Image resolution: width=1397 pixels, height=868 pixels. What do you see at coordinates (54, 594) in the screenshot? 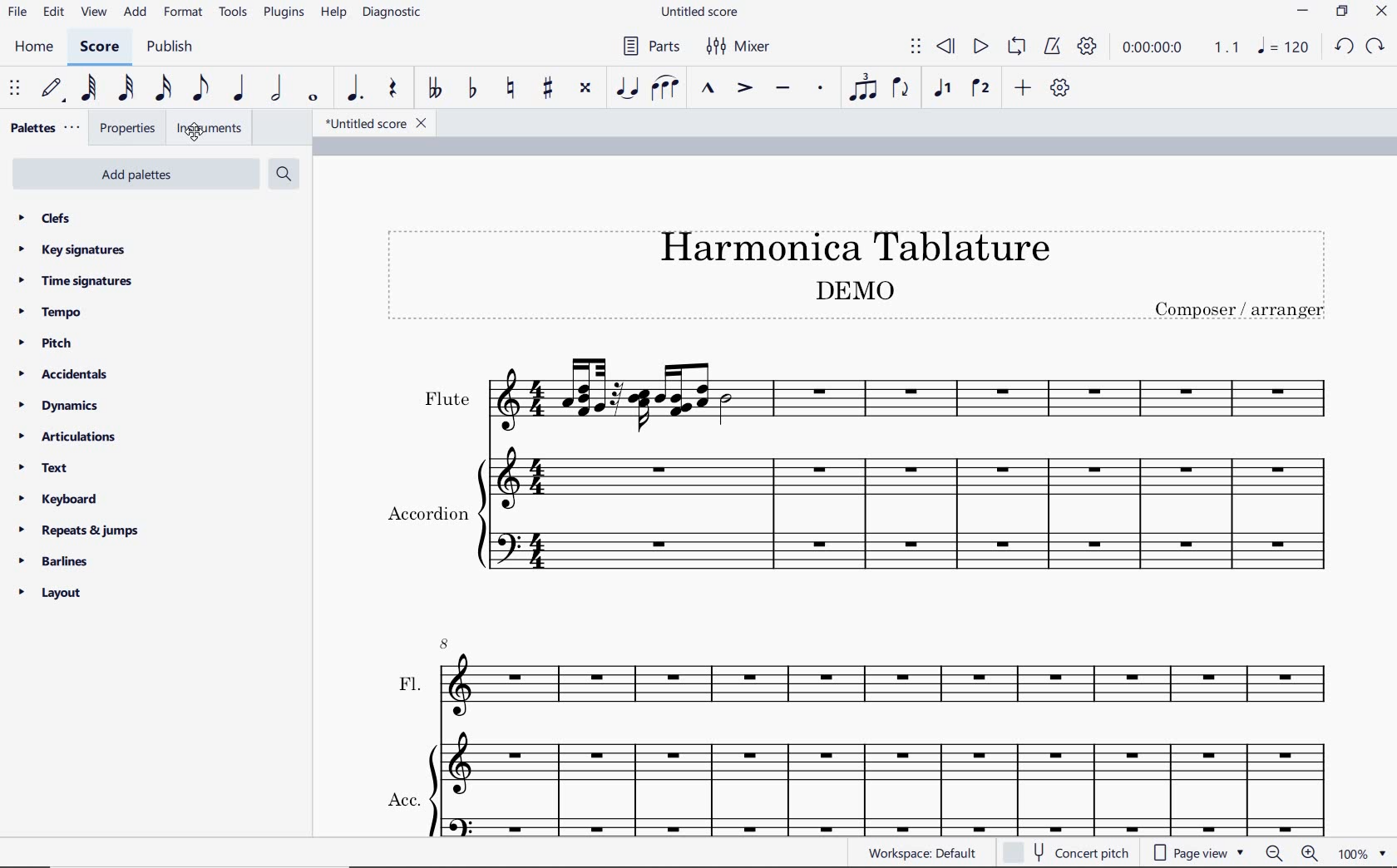
I see `layout` at bounding box center [54, 594].